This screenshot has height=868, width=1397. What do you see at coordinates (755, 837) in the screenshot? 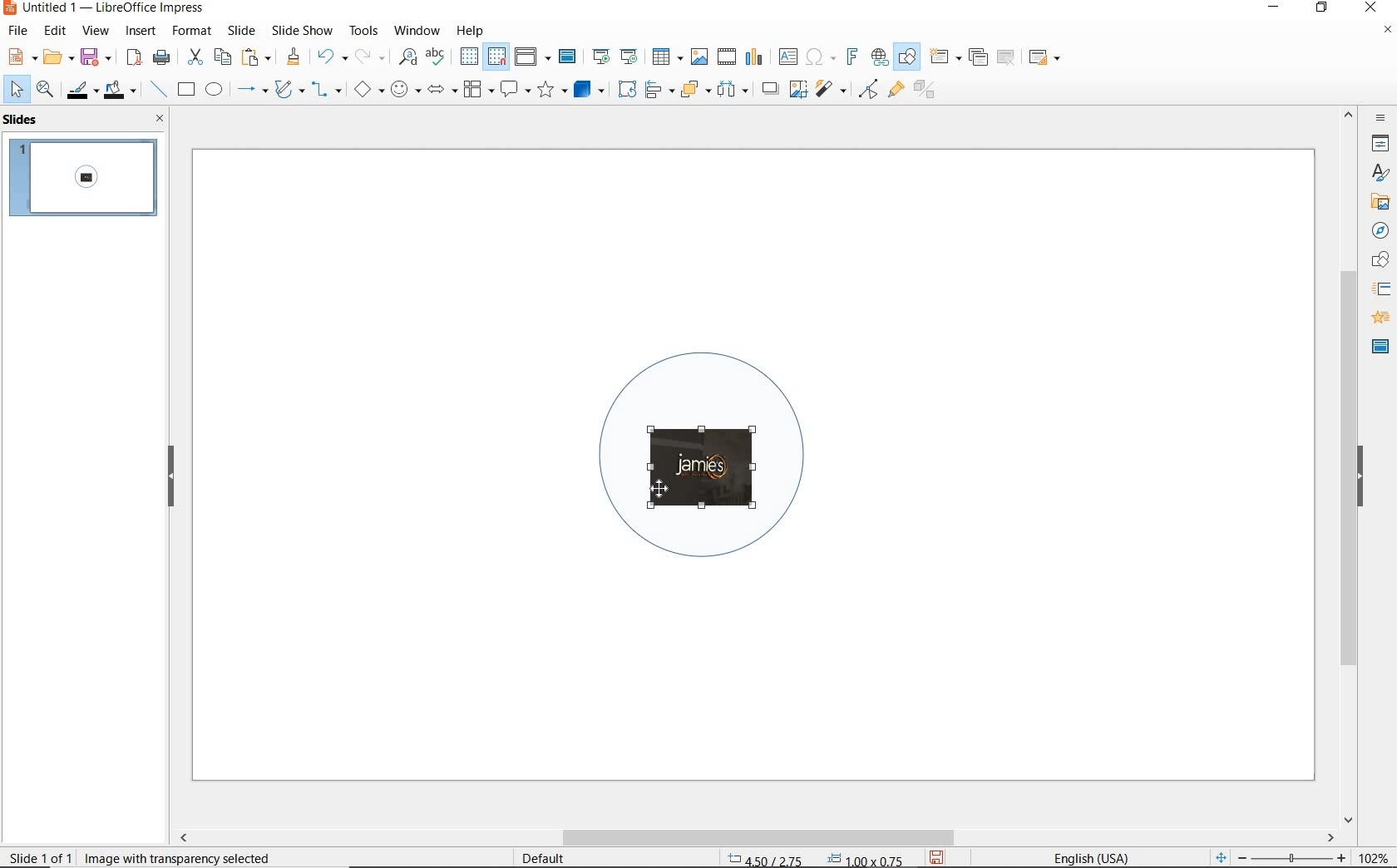
I see `scrollbar` at bounding box center [755, 837].